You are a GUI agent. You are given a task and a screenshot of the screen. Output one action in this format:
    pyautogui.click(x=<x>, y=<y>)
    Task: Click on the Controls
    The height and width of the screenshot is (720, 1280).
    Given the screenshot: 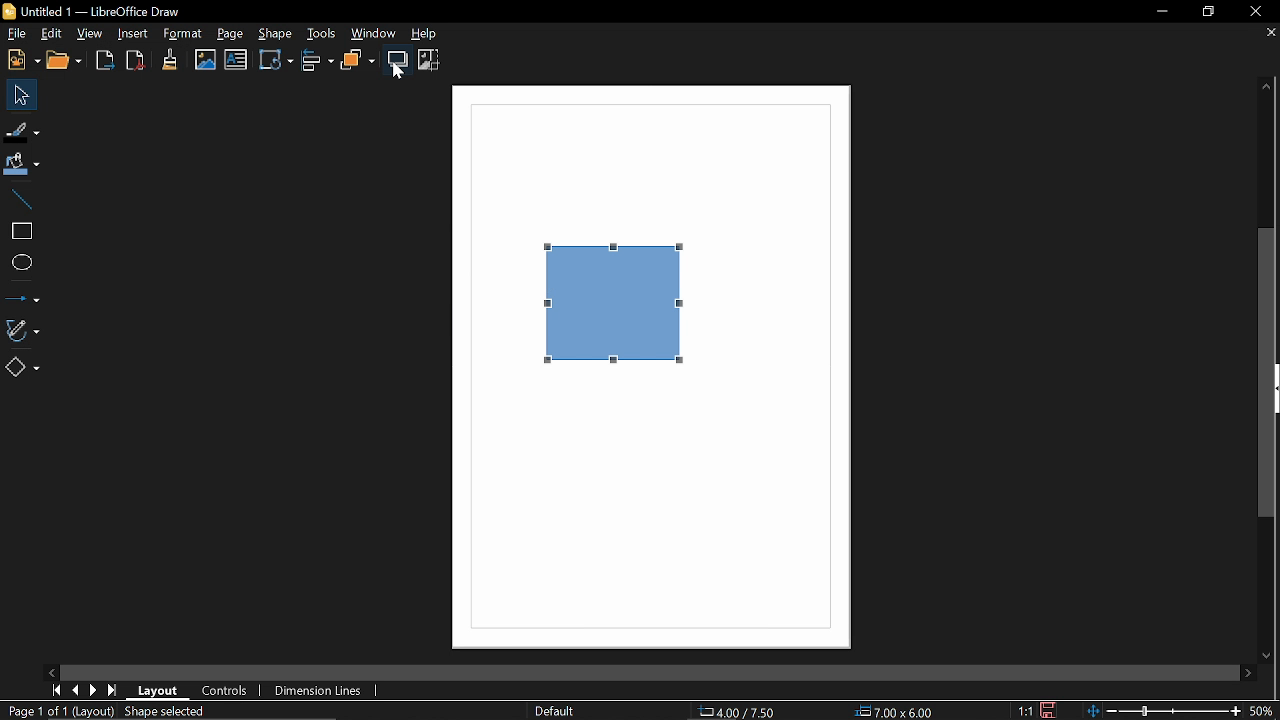 What is the action you would take?
    pyautogui.click(x=227, y=691)
    